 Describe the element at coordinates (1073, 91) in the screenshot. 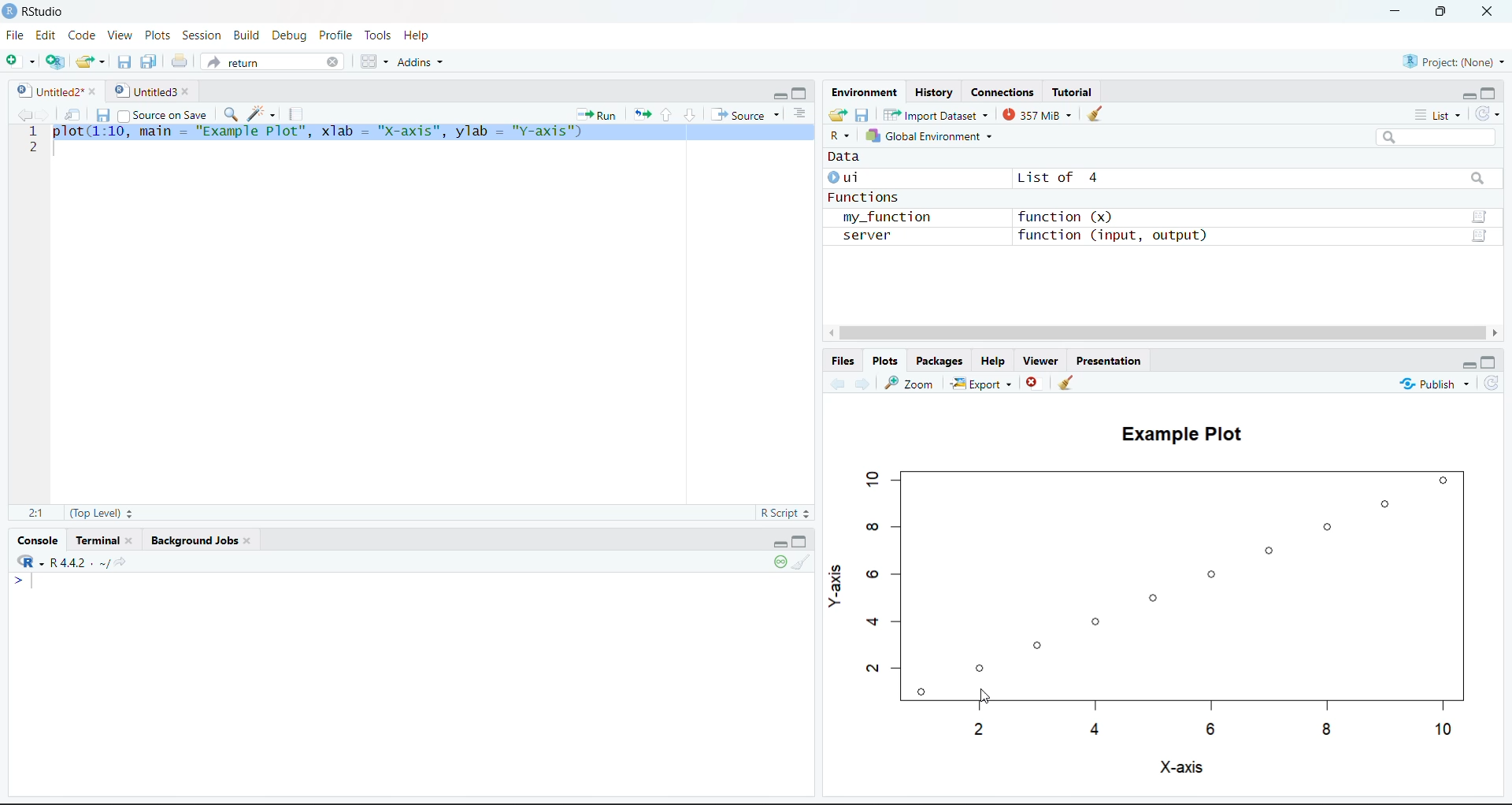

I see `Tutorial` at that location.